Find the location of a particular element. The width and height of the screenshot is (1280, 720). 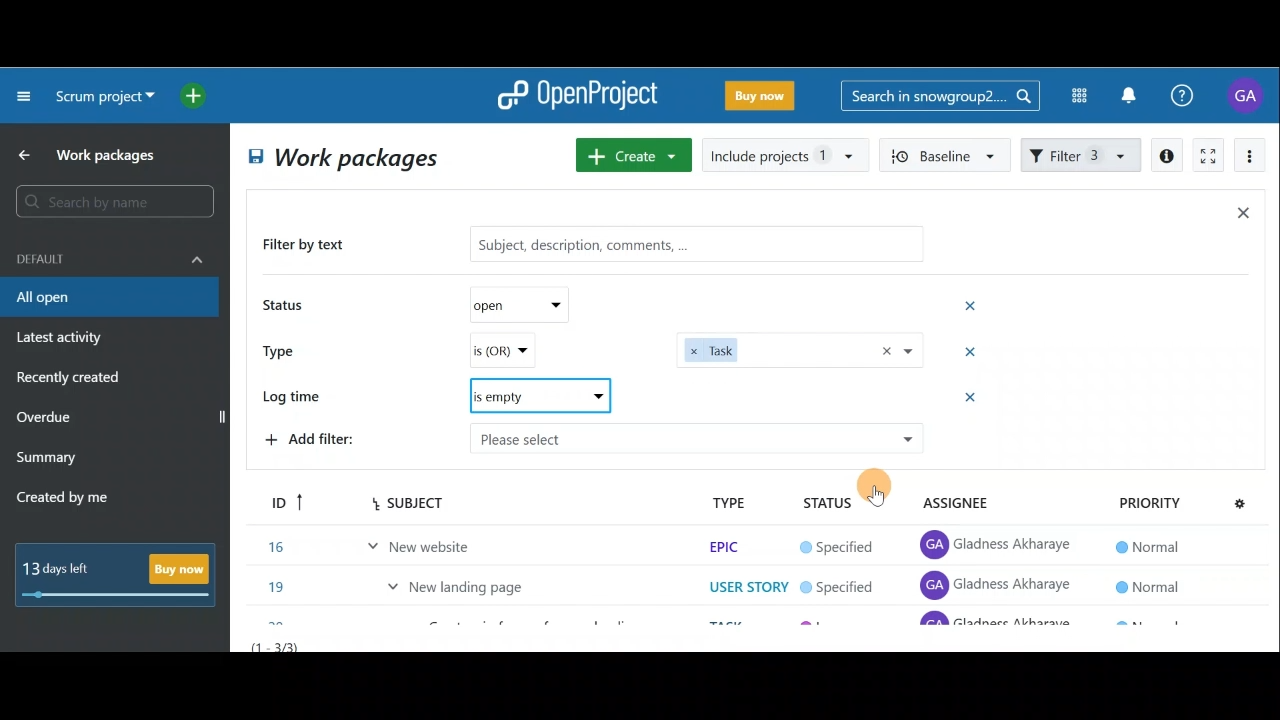

Item 15 is located at coordinates (465, 536).